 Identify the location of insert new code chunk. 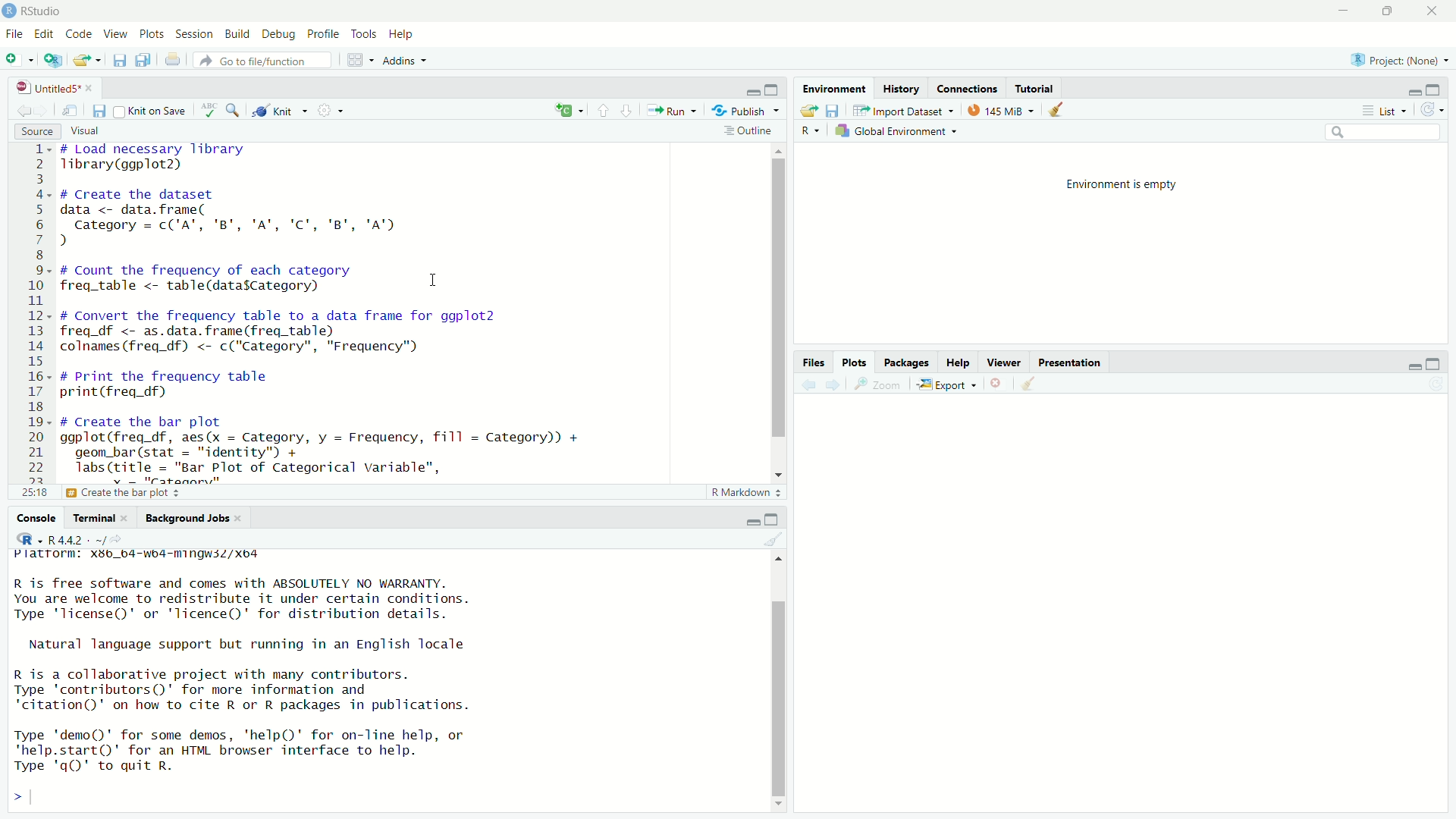
(567, 111).